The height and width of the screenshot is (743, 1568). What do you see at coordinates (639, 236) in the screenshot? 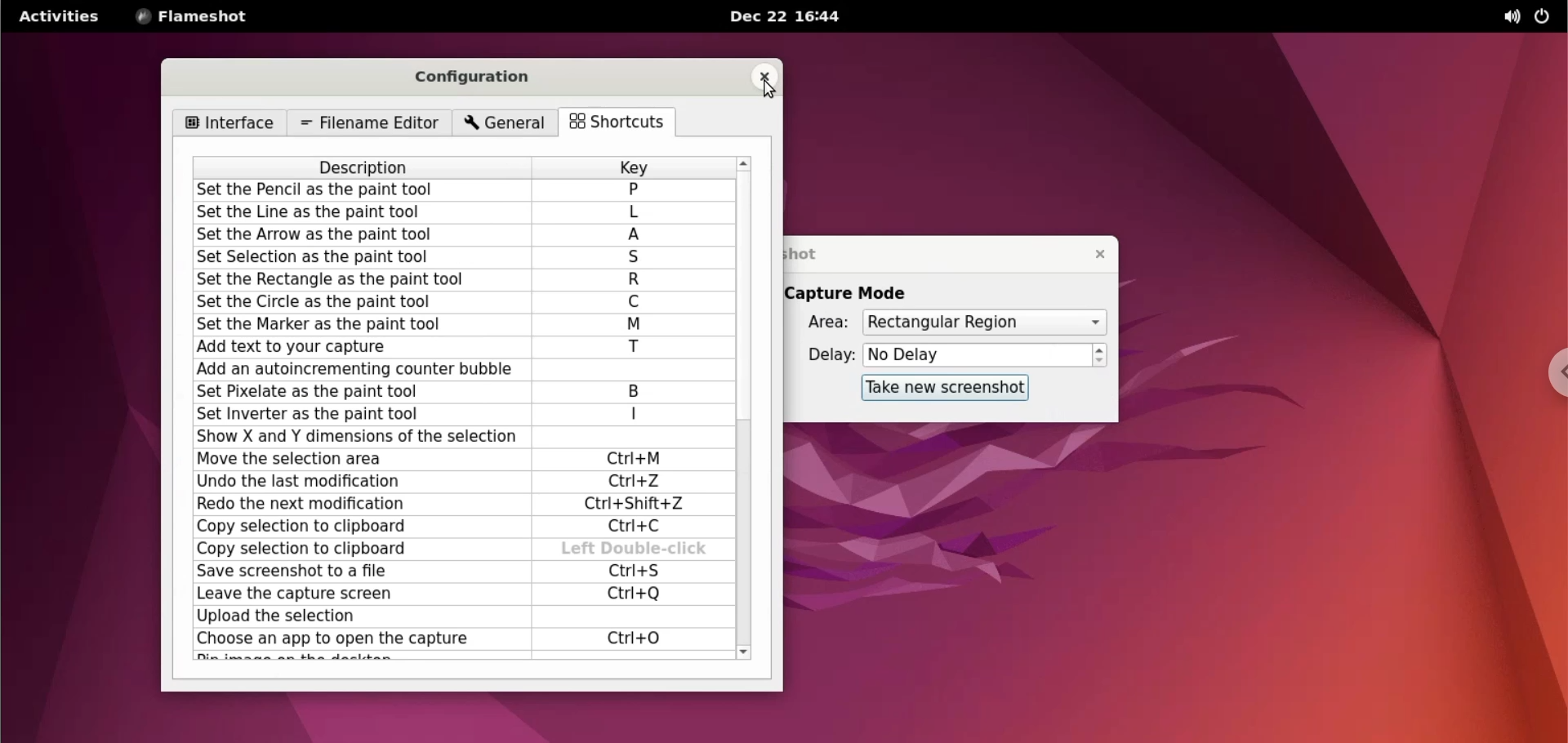
I see `A ` at bounding box center [639, 236].